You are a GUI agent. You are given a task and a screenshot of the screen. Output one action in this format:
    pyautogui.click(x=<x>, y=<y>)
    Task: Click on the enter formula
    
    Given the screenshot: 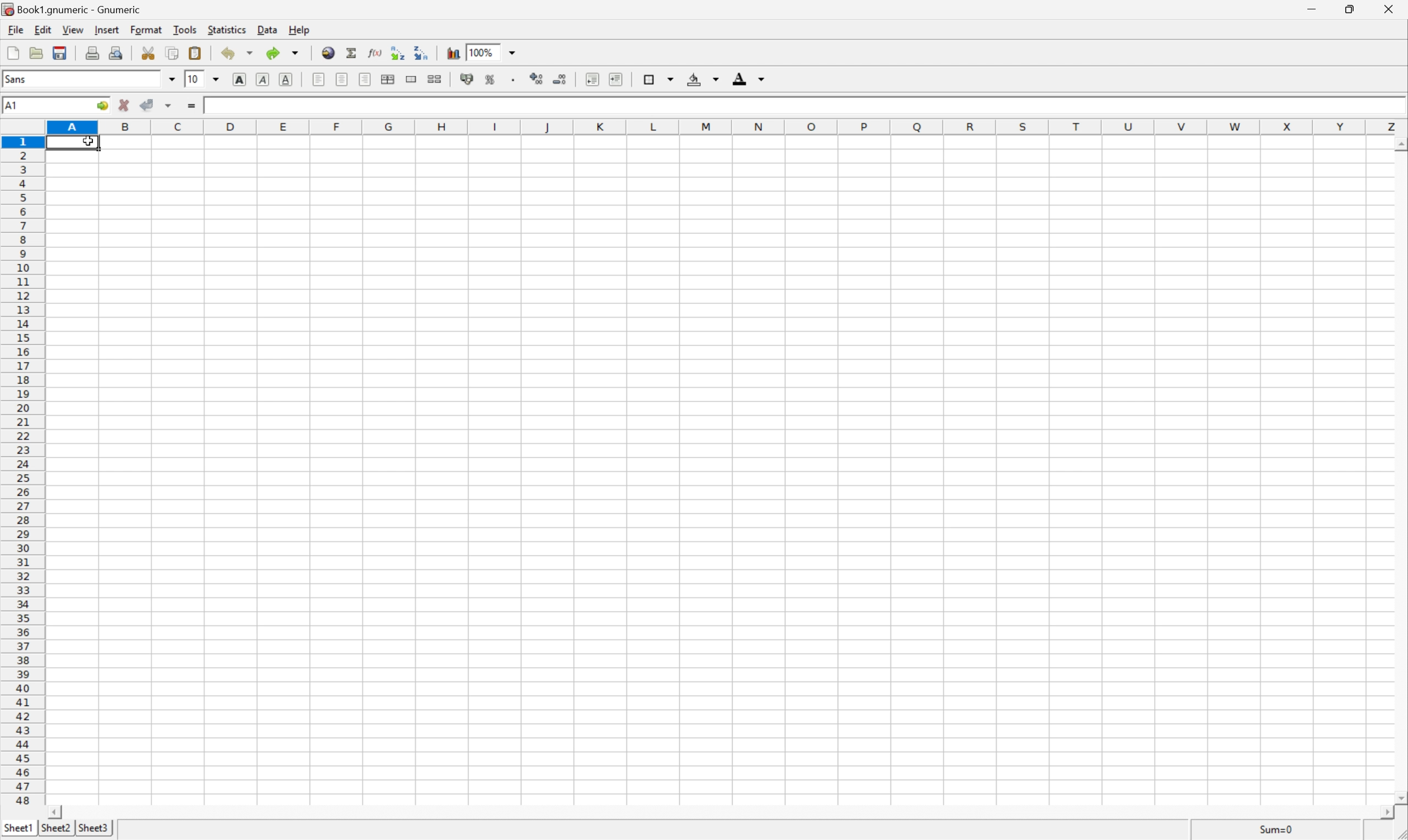 What is the action you would take?
    pyautogui.click(x=193, y=108)
    